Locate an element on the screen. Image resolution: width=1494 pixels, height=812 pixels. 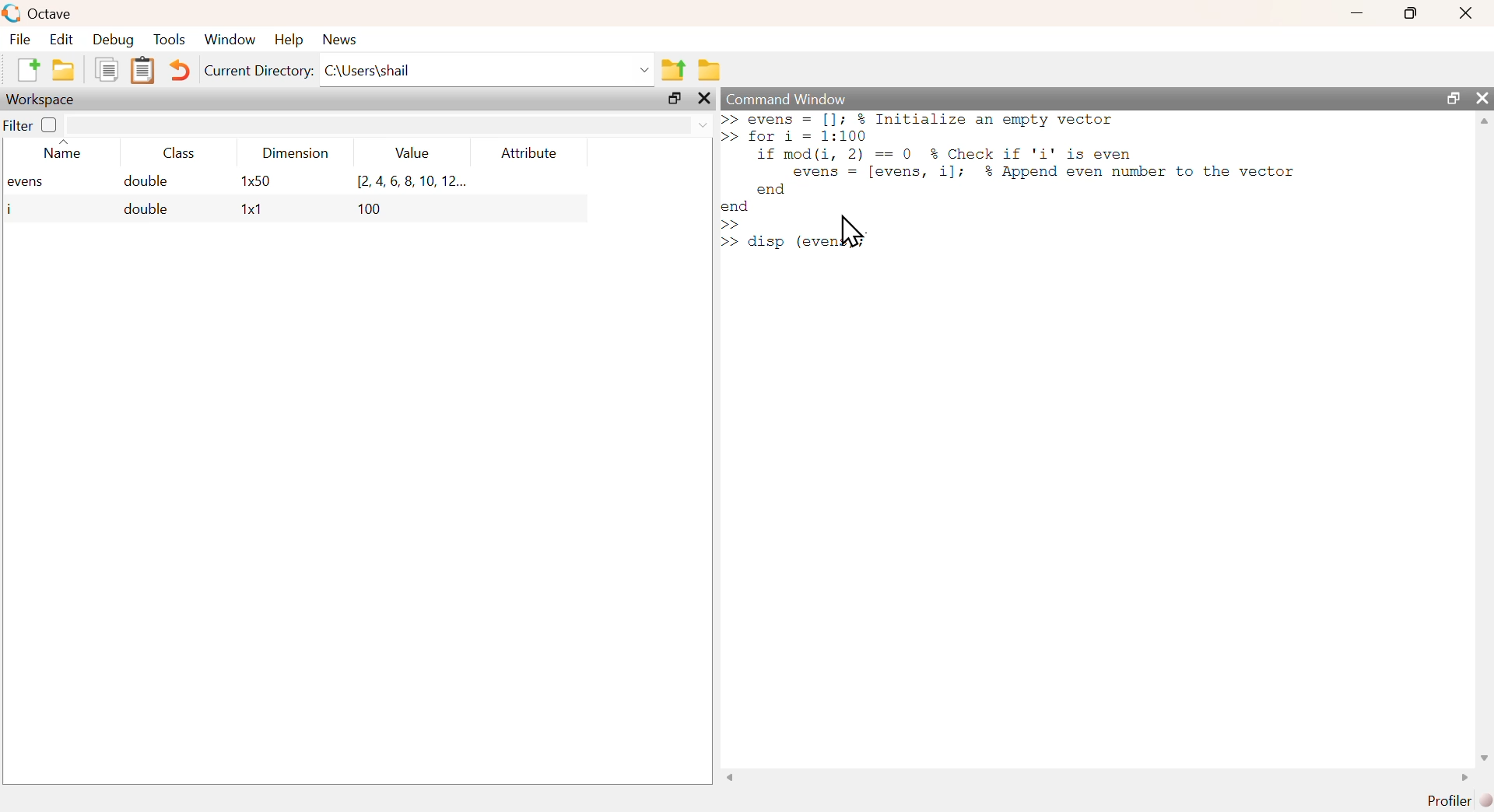
workspace is located at coordinates (44, 100).